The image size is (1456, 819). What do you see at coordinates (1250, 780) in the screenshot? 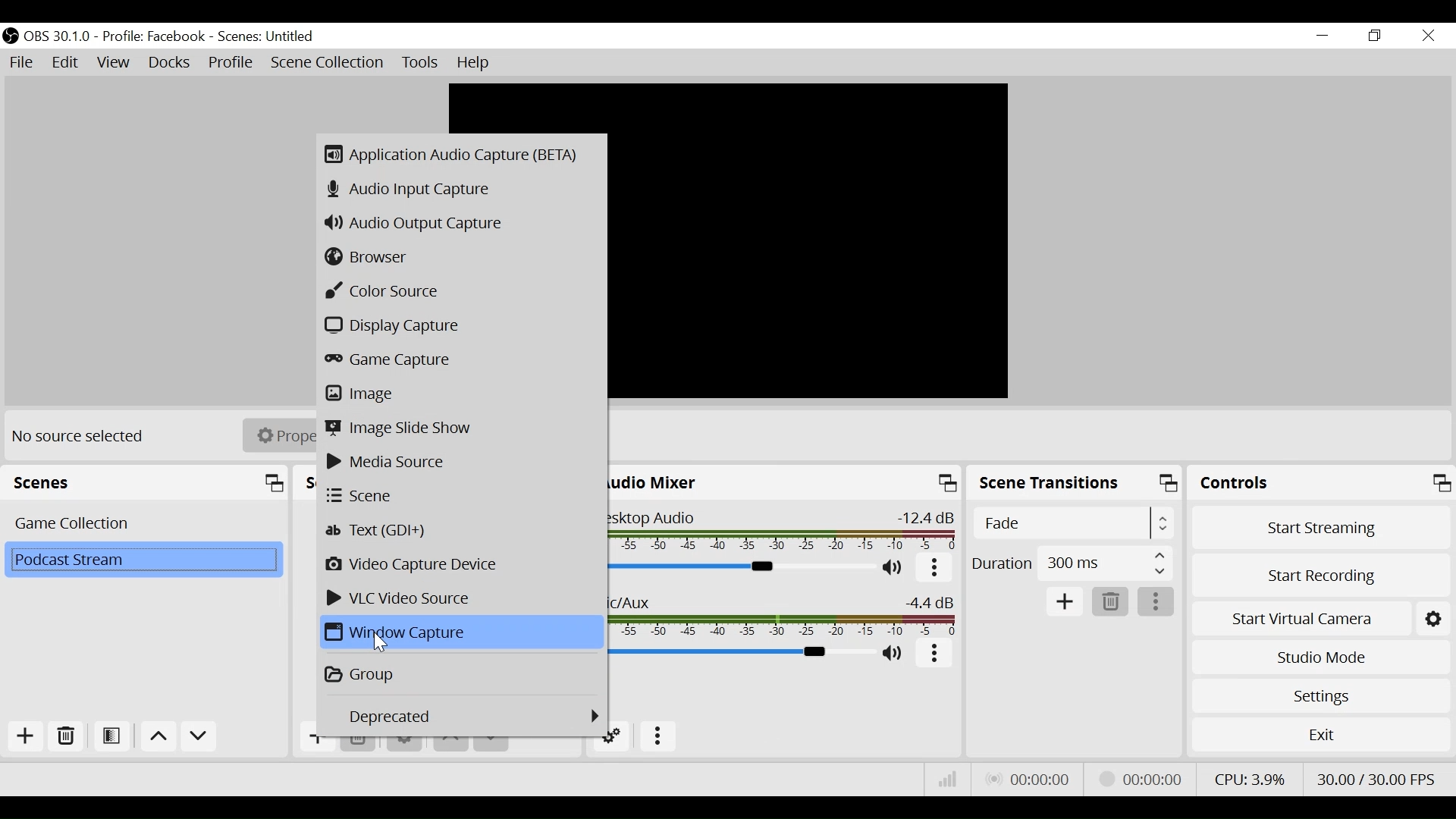
I see `CPU Usage` at bounding box center [1250, 780].